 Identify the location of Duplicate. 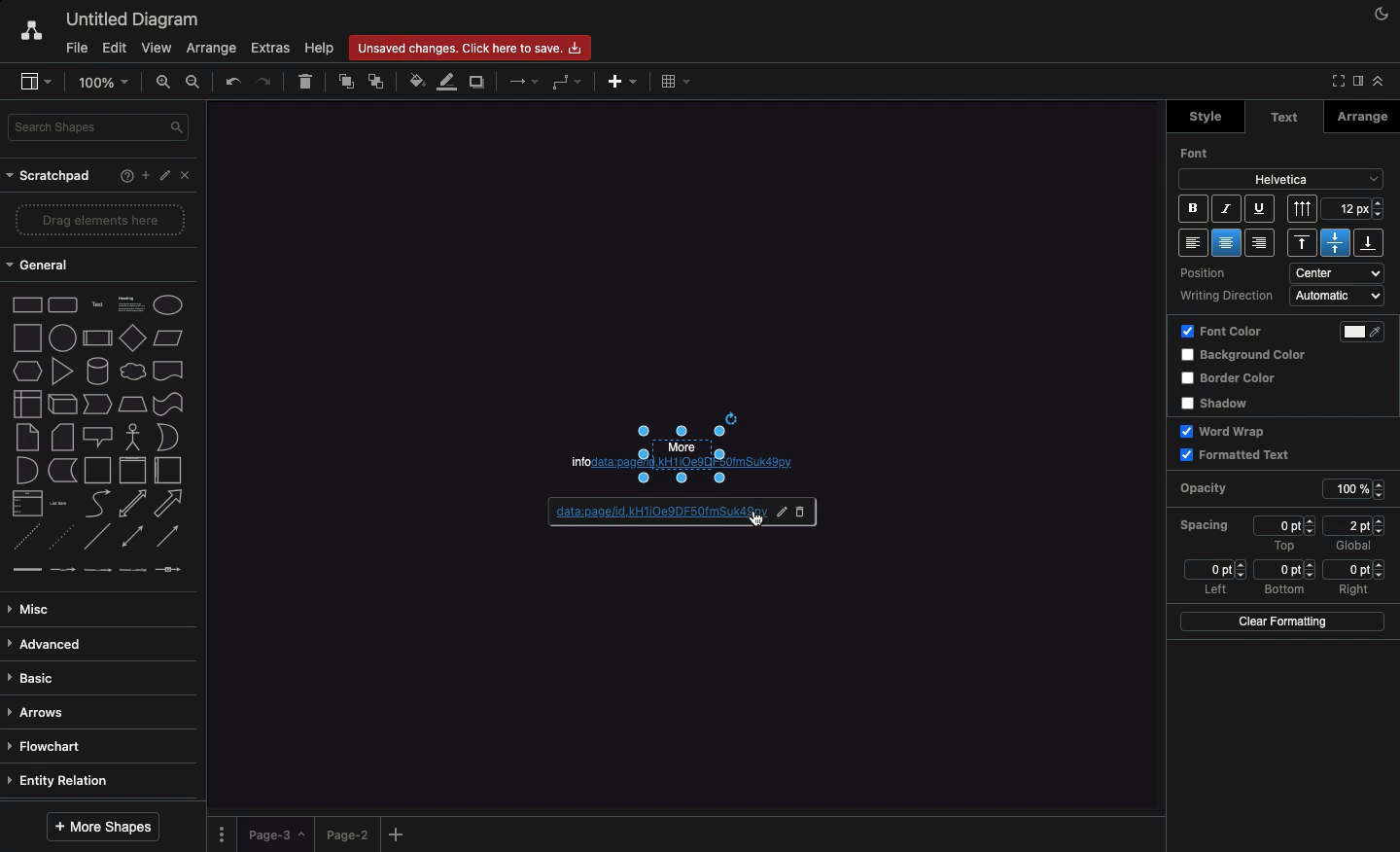
(479, 81).